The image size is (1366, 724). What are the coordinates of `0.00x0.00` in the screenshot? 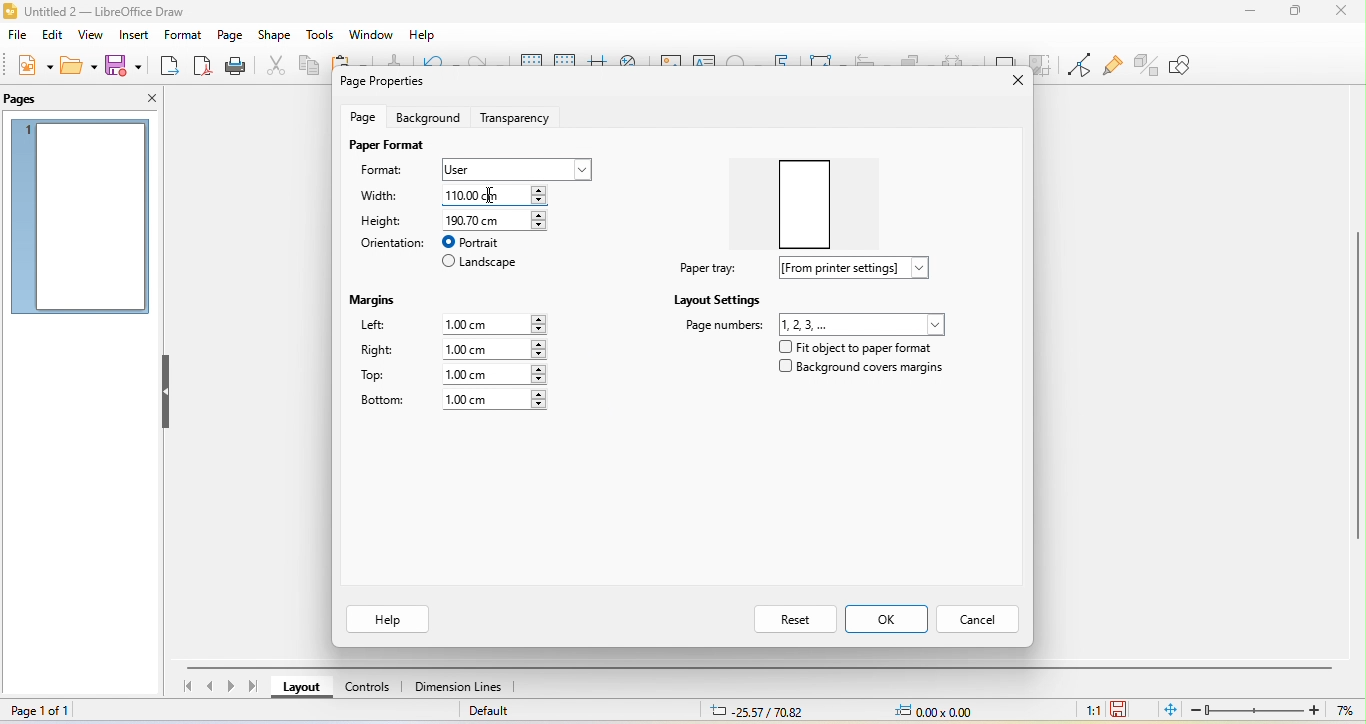 It's located at (933, 710).